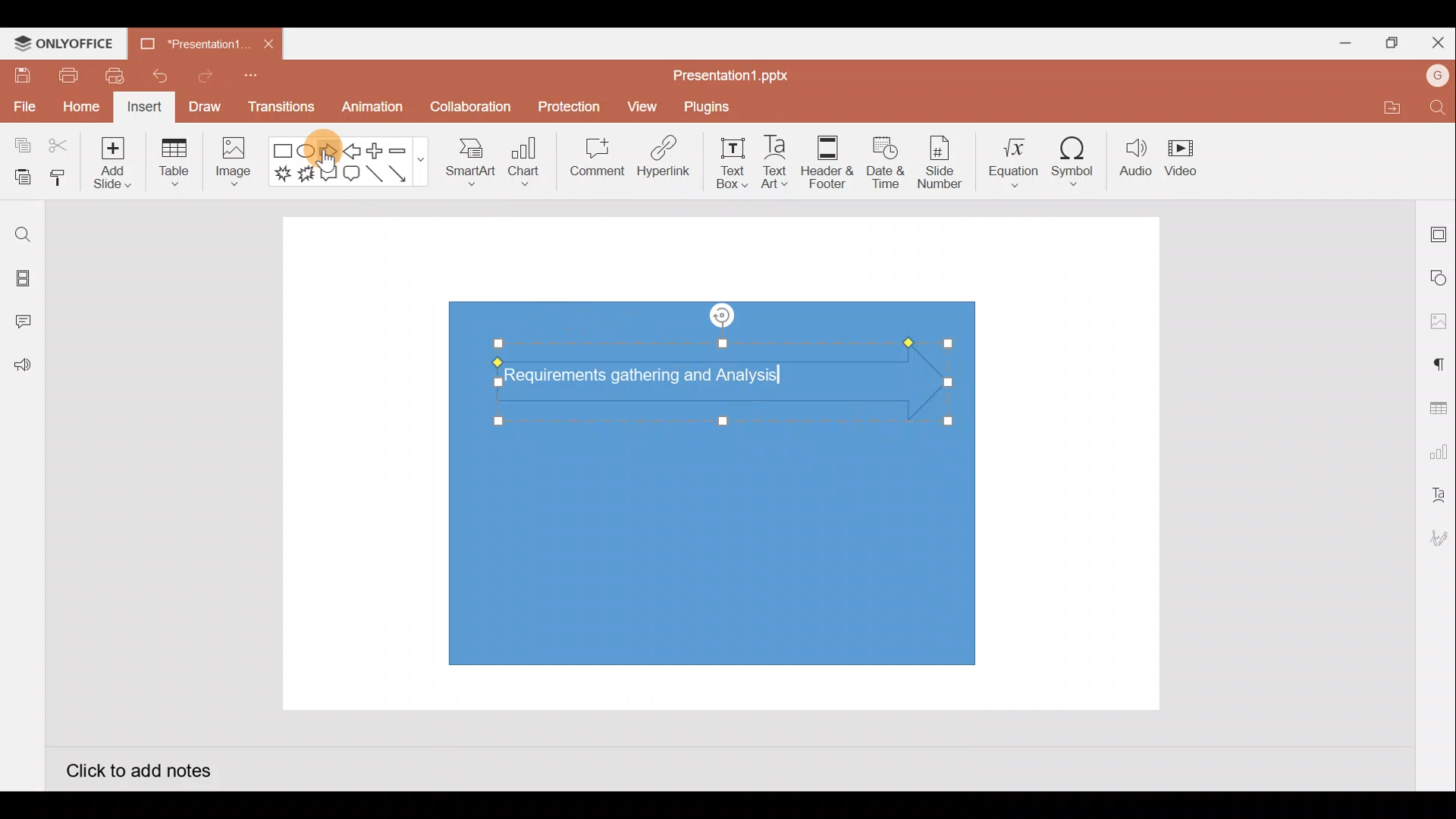 The height and width of the screenshot is (819, 1456). Describe the element at coordinates (1388, 43) in the screenshot. I see `Maximize` at that location.